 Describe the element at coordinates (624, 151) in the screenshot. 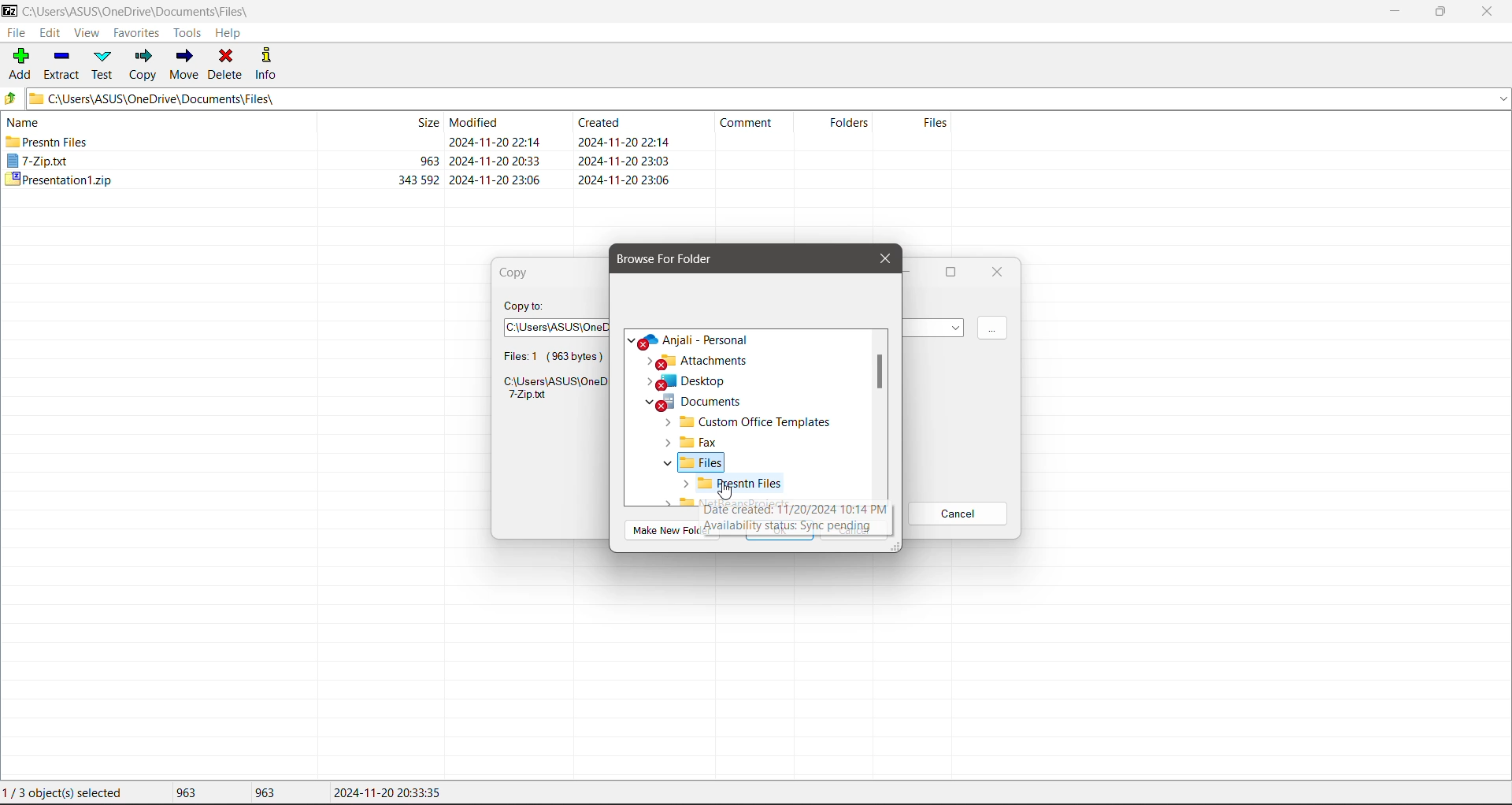

I see `File Created Date` at that location.